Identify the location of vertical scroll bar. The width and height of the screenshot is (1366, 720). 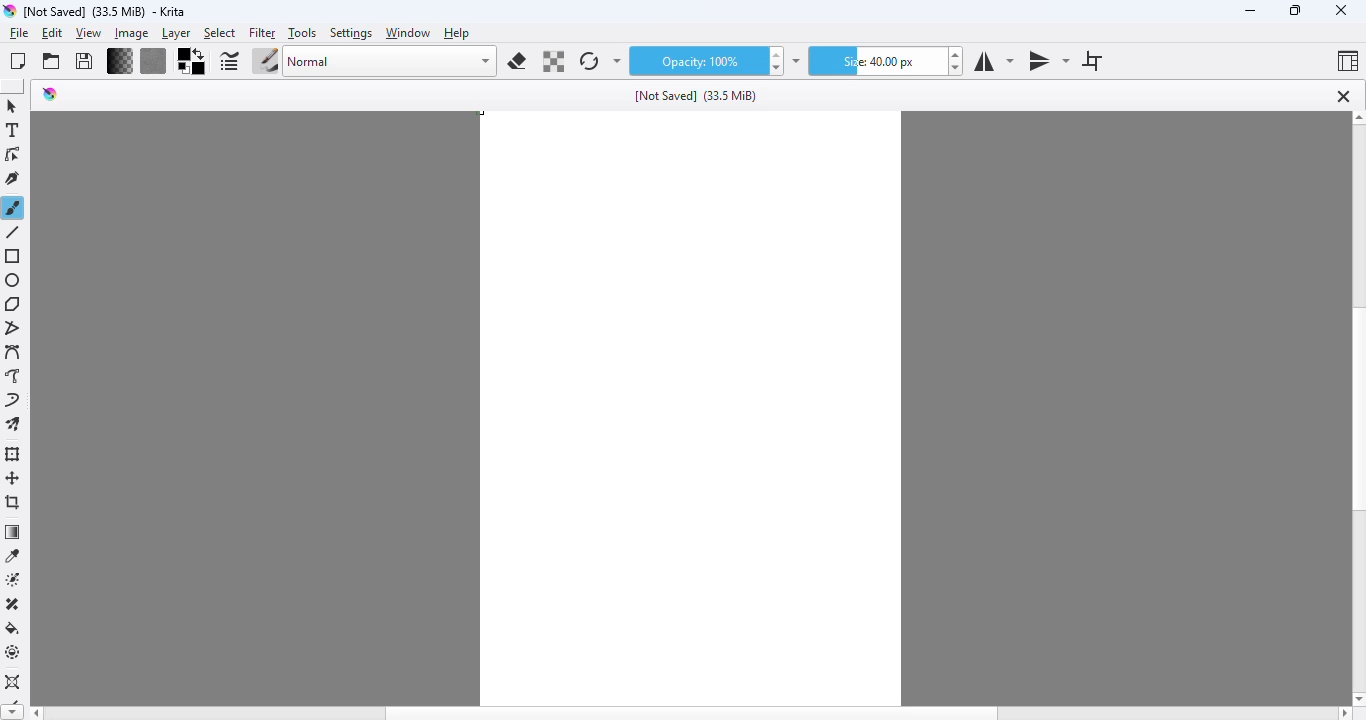
(1355, 406).